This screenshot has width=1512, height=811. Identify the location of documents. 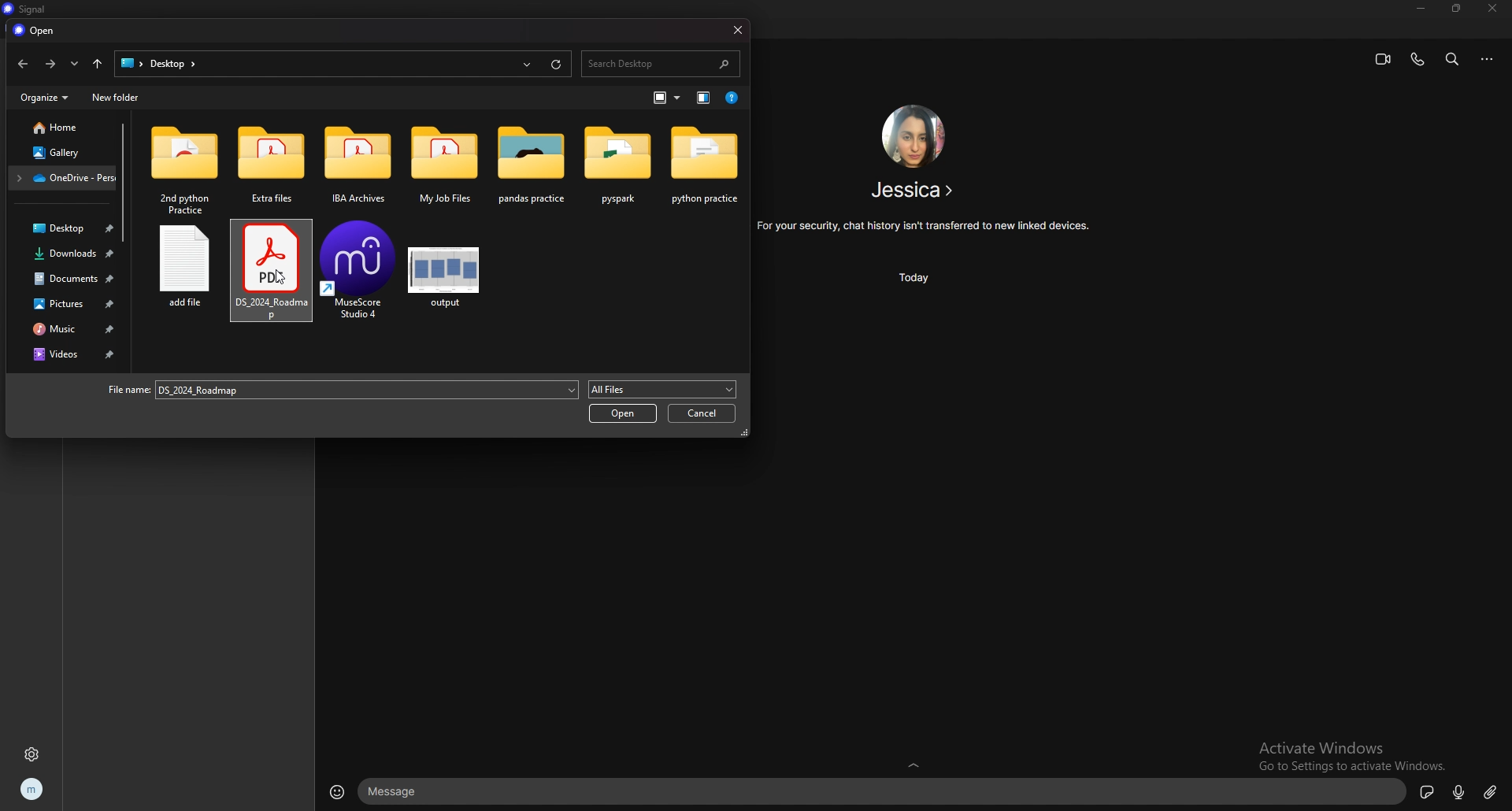
(67, 279).